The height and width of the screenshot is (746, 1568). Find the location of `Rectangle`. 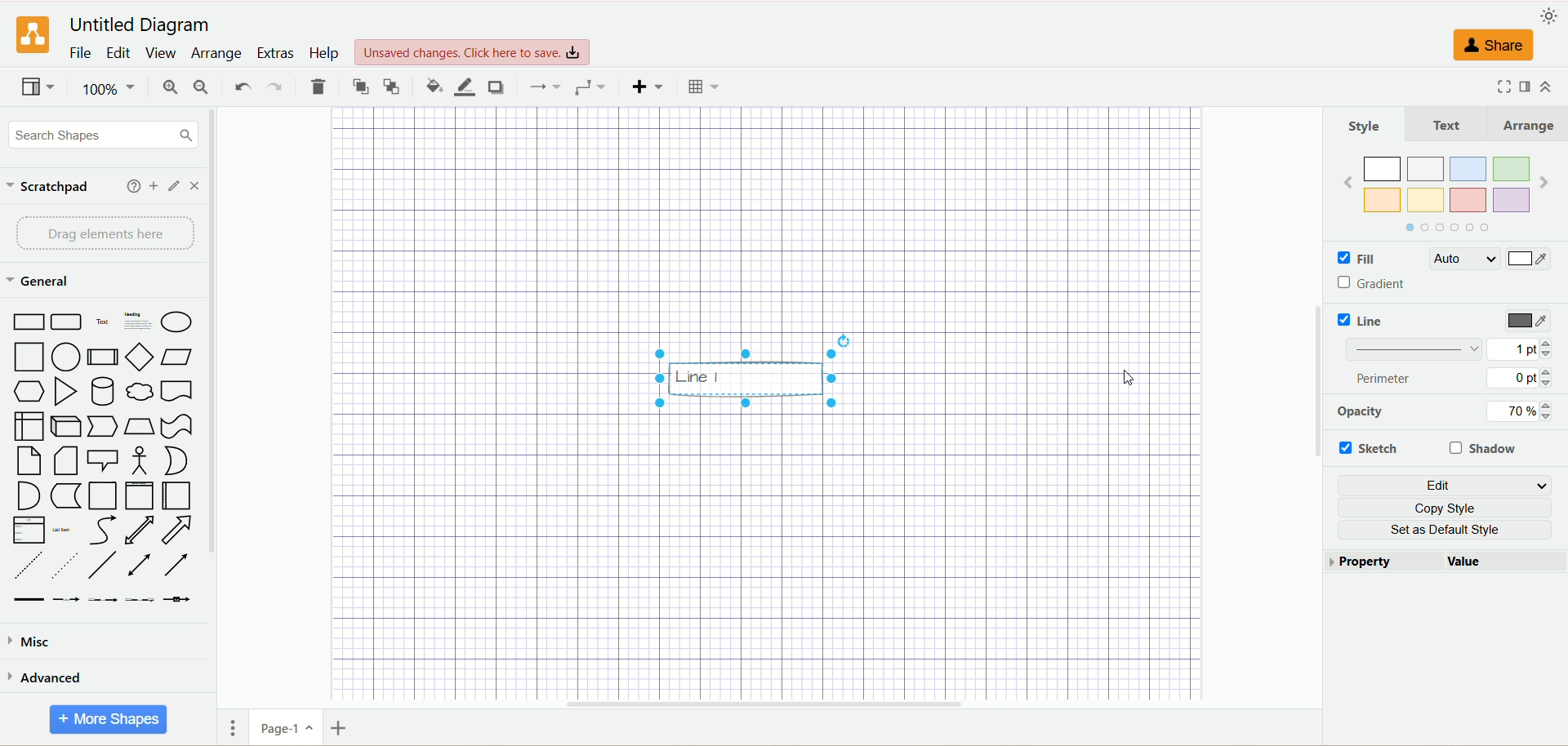

Rectangle is located at coordinates (27, 322).